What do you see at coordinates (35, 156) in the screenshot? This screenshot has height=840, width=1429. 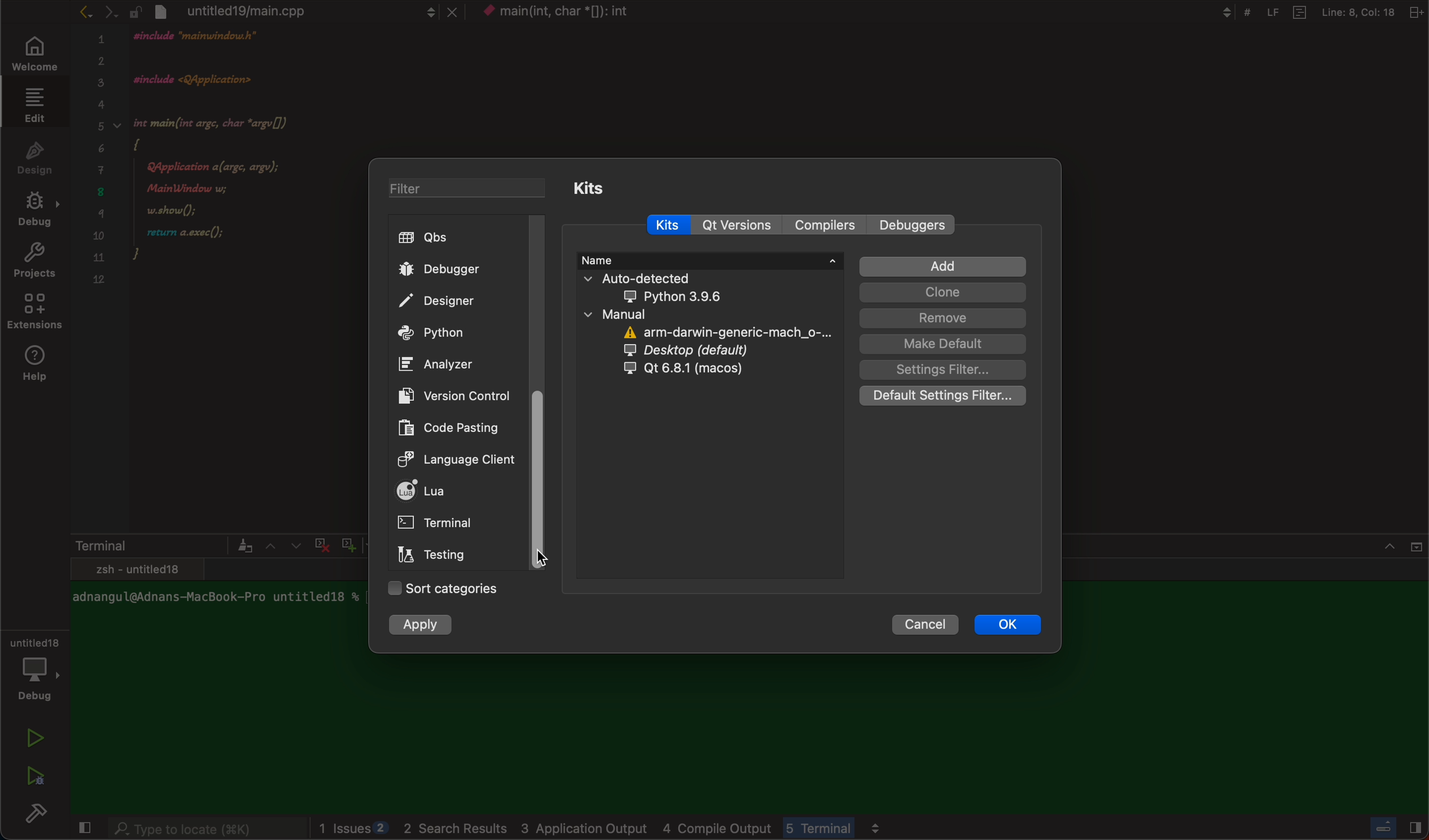 I see `design` at bounding box center [35, 156].